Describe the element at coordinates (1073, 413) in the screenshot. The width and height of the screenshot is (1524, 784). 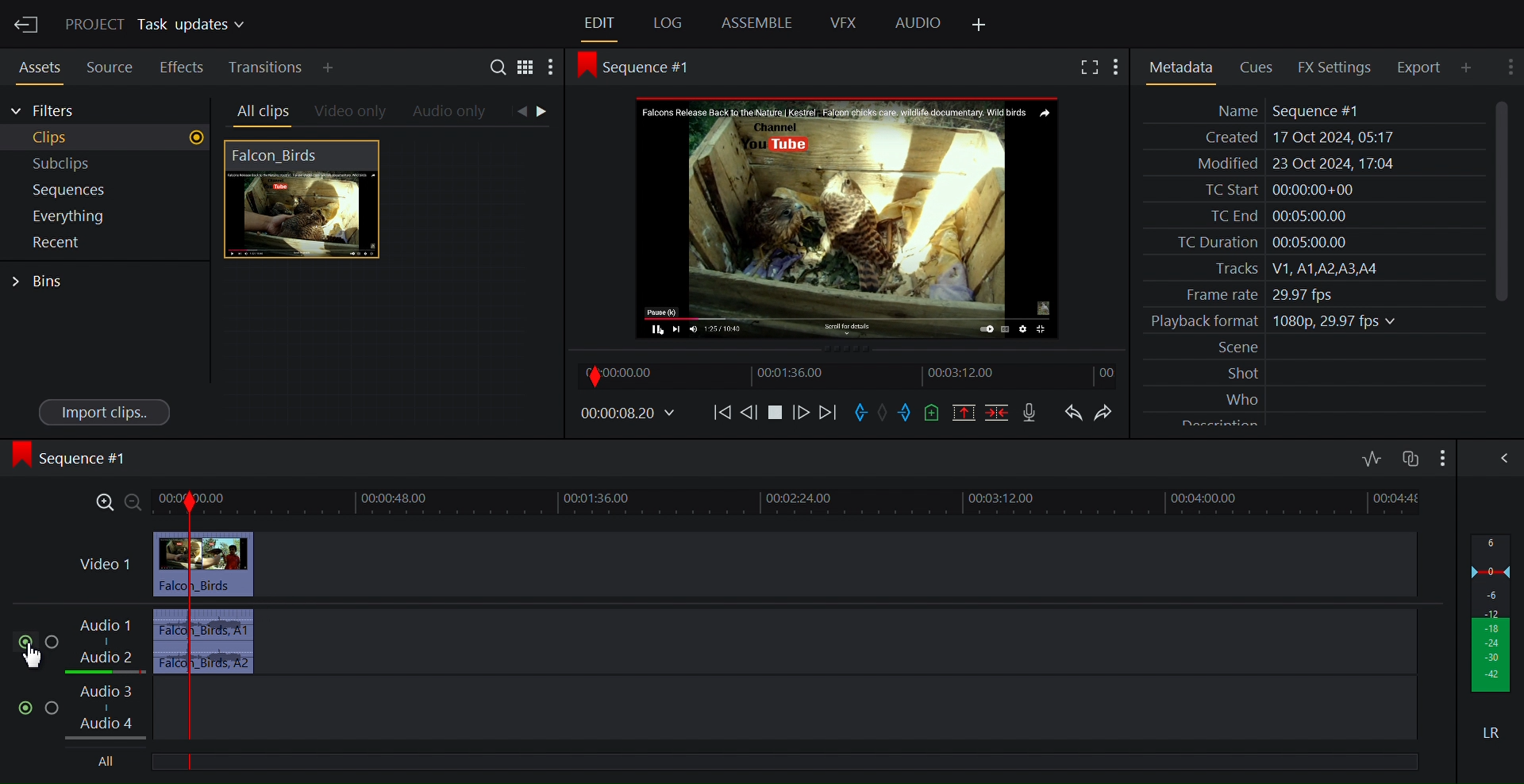
I see `Undo ` at that location.